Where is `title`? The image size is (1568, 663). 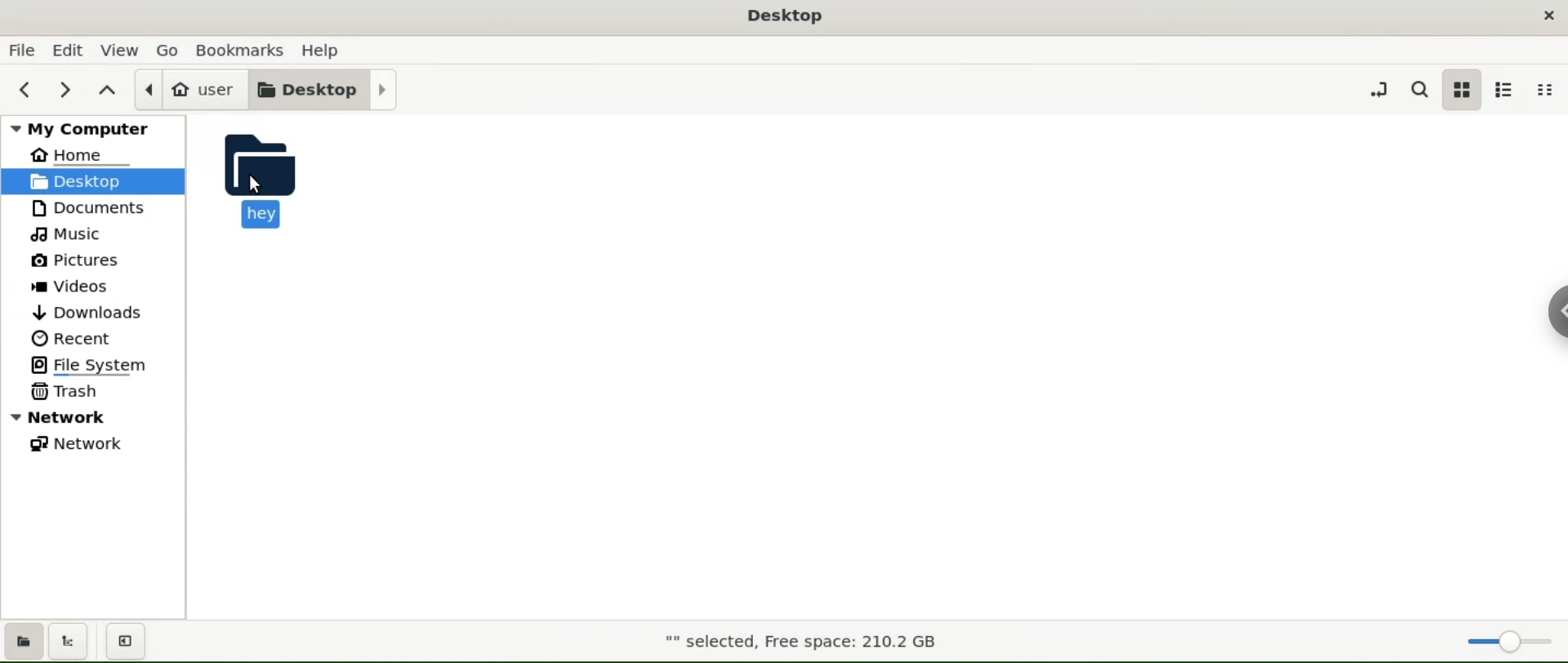
title is located at coordinates (786, 19).